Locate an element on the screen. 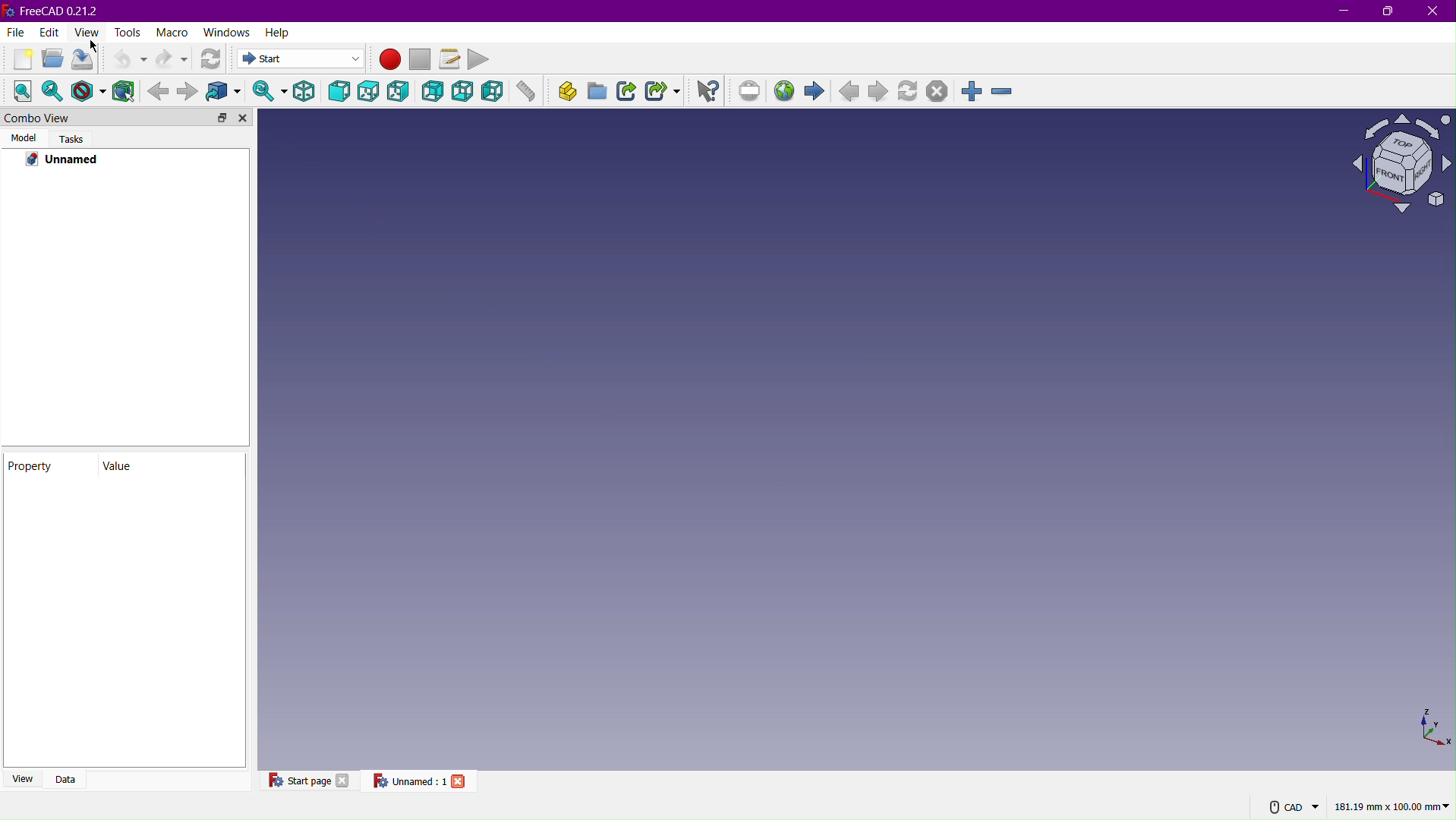 The width and height of the screenshot is (1456, 820). Left is located at coordinates (495, 93).